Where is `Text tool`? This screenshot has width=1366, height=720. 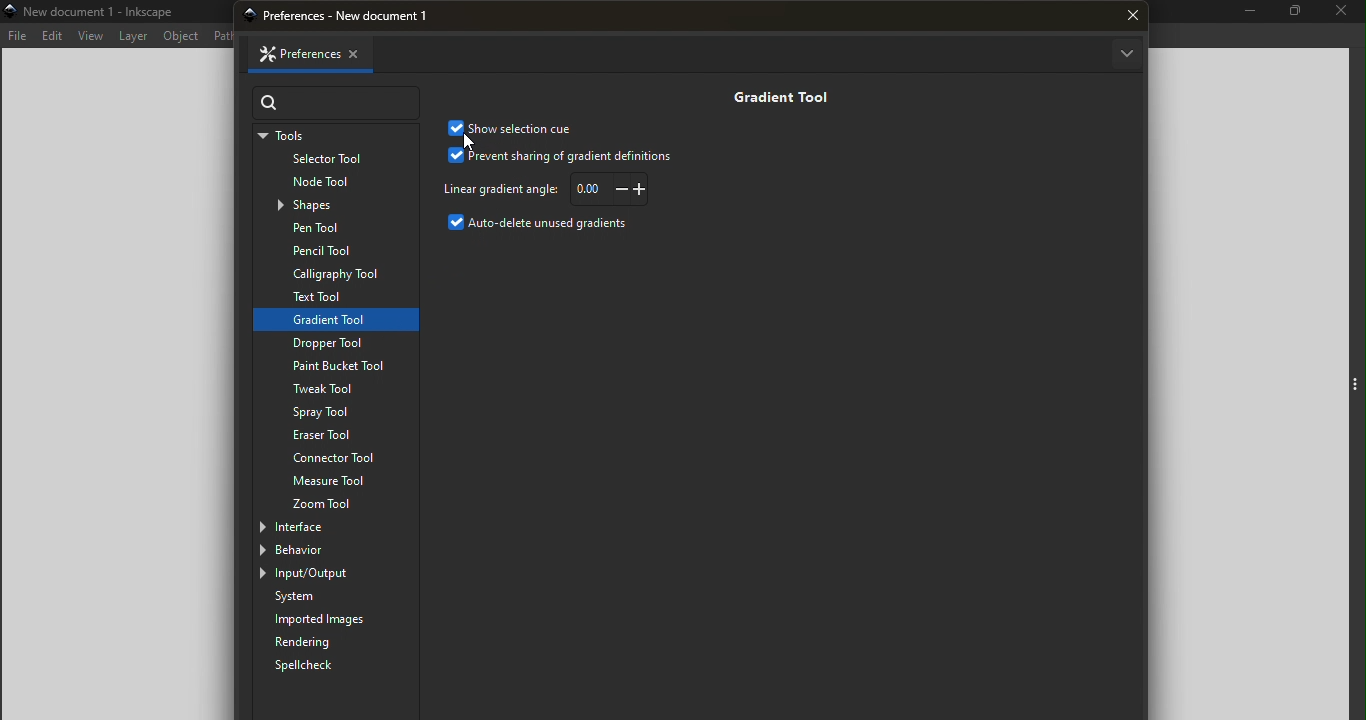 Text tool is located at coordinates (330, 297).